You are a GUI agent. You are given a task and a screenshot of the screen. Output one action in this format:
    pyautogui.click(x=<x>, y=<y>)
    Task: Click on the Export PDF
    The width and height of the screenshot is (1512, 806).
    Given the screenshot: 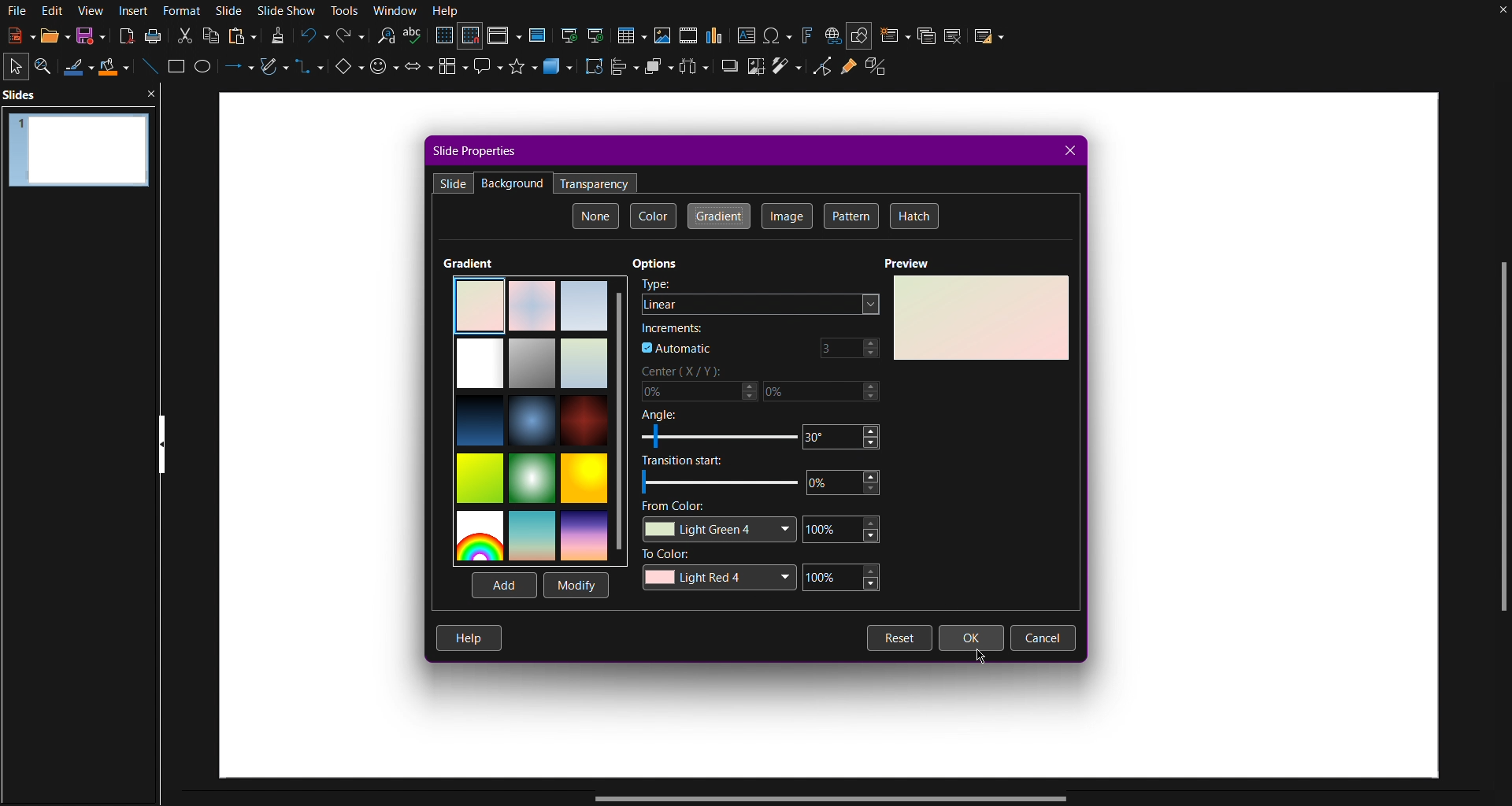 What is the action you would take?
    pyautogui.click(x=124, y=36)
    